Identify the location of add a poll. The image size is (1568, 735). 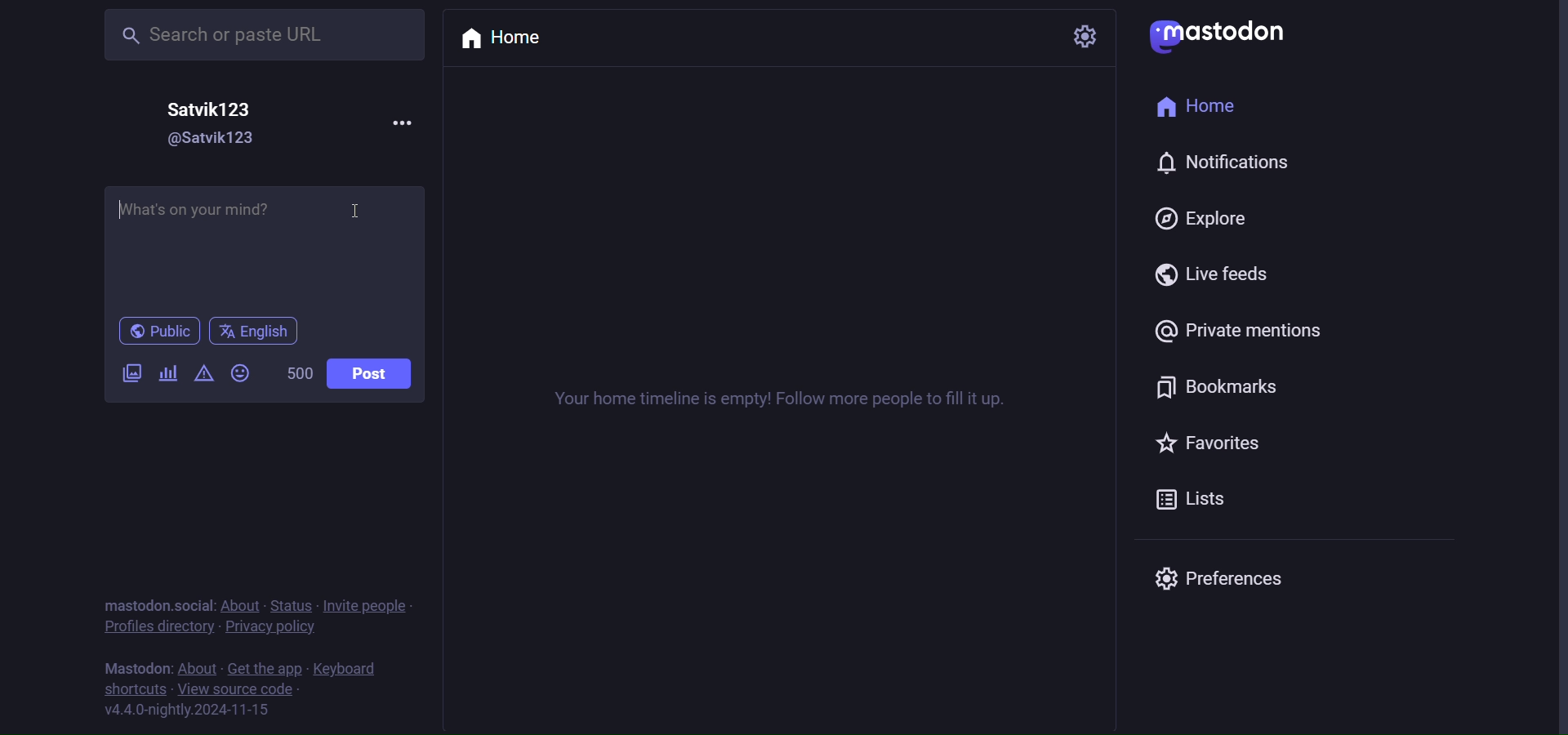
(169, 372).